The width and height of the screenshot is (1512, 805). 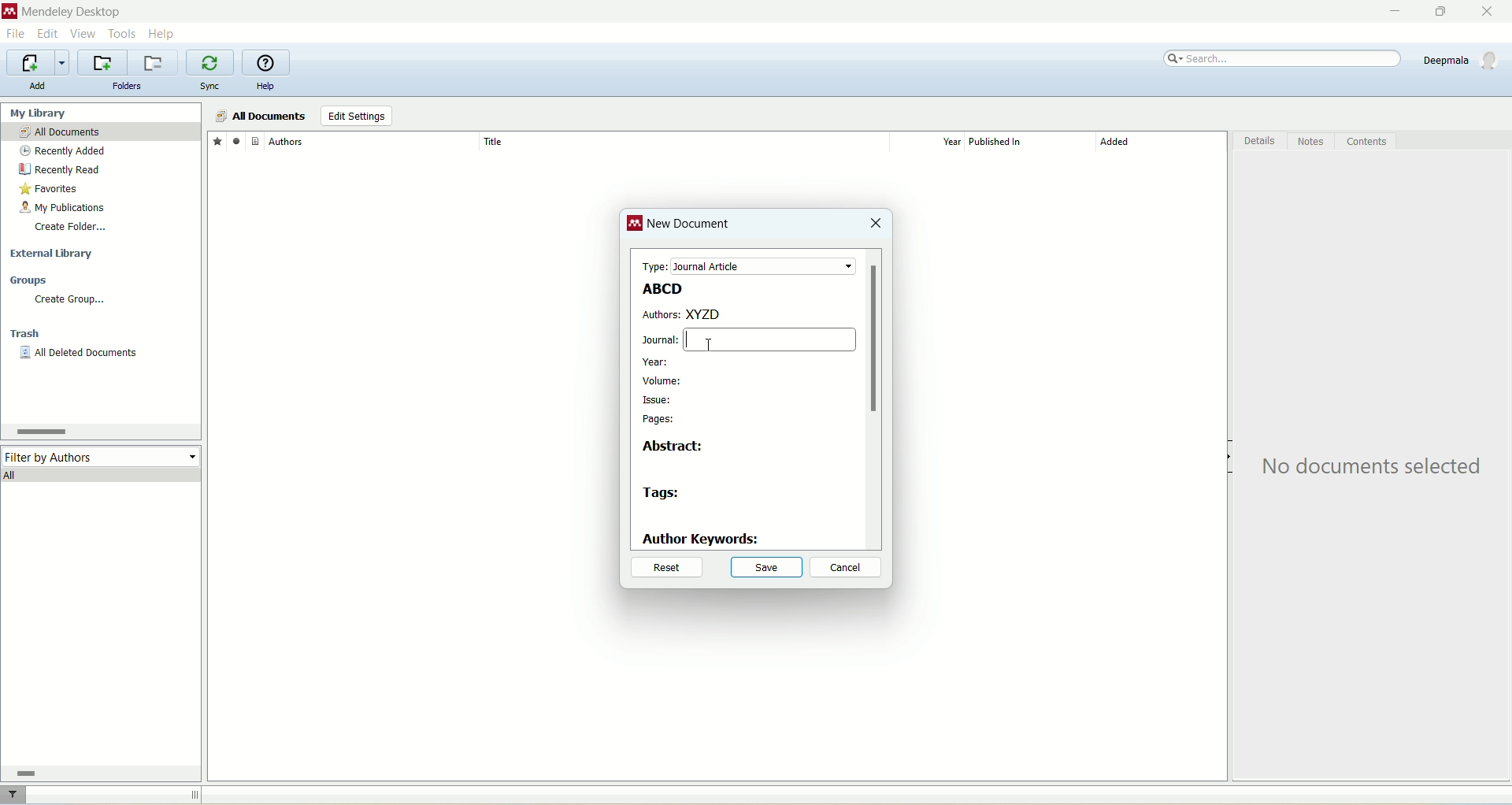 What do you see at coordinates (702, 540) in the screenshot?
I see `author keywords` at bounding box center [702, 540].